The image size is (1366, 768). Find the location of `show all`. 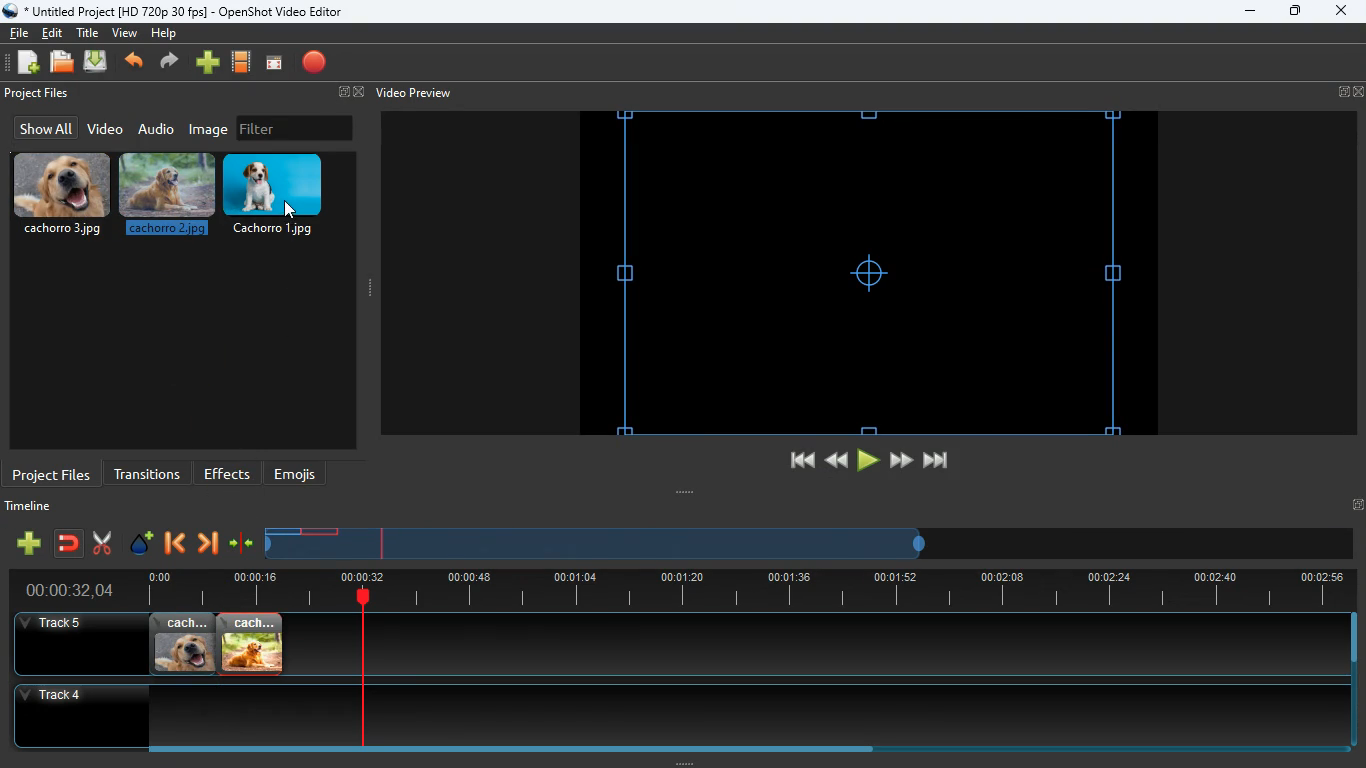

show all is located at coordinates (43, 128).